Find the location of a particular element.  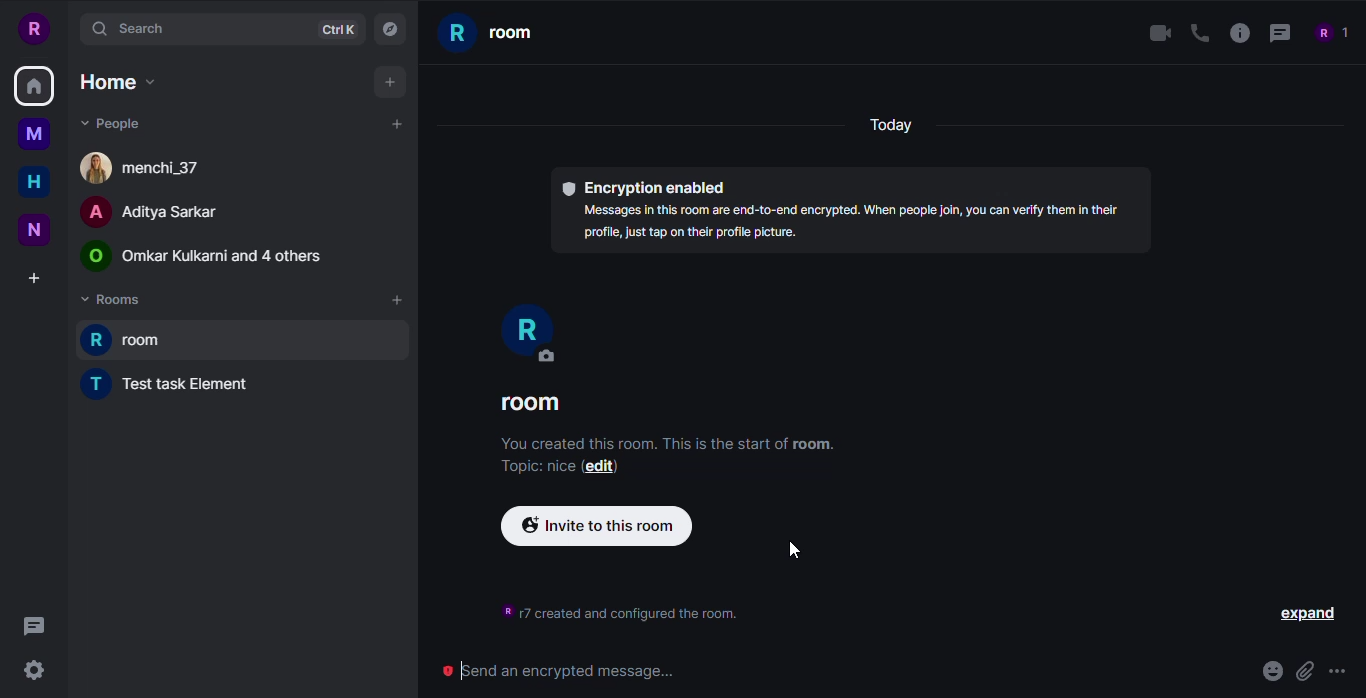

test task element is located at coordinates (177, 386).